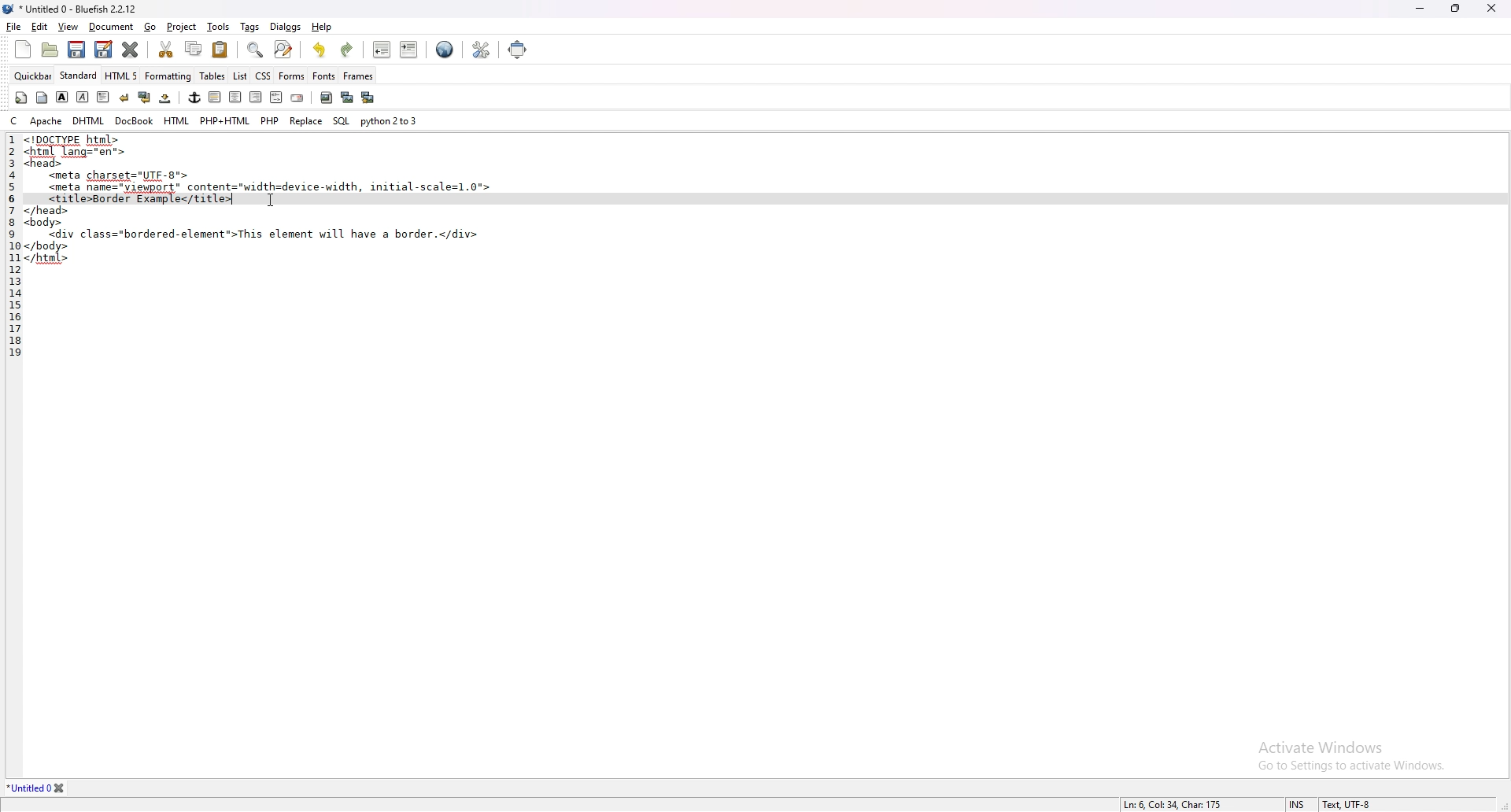 The image size is (1511, 812). I want to click on resize, so click(1456, 8).